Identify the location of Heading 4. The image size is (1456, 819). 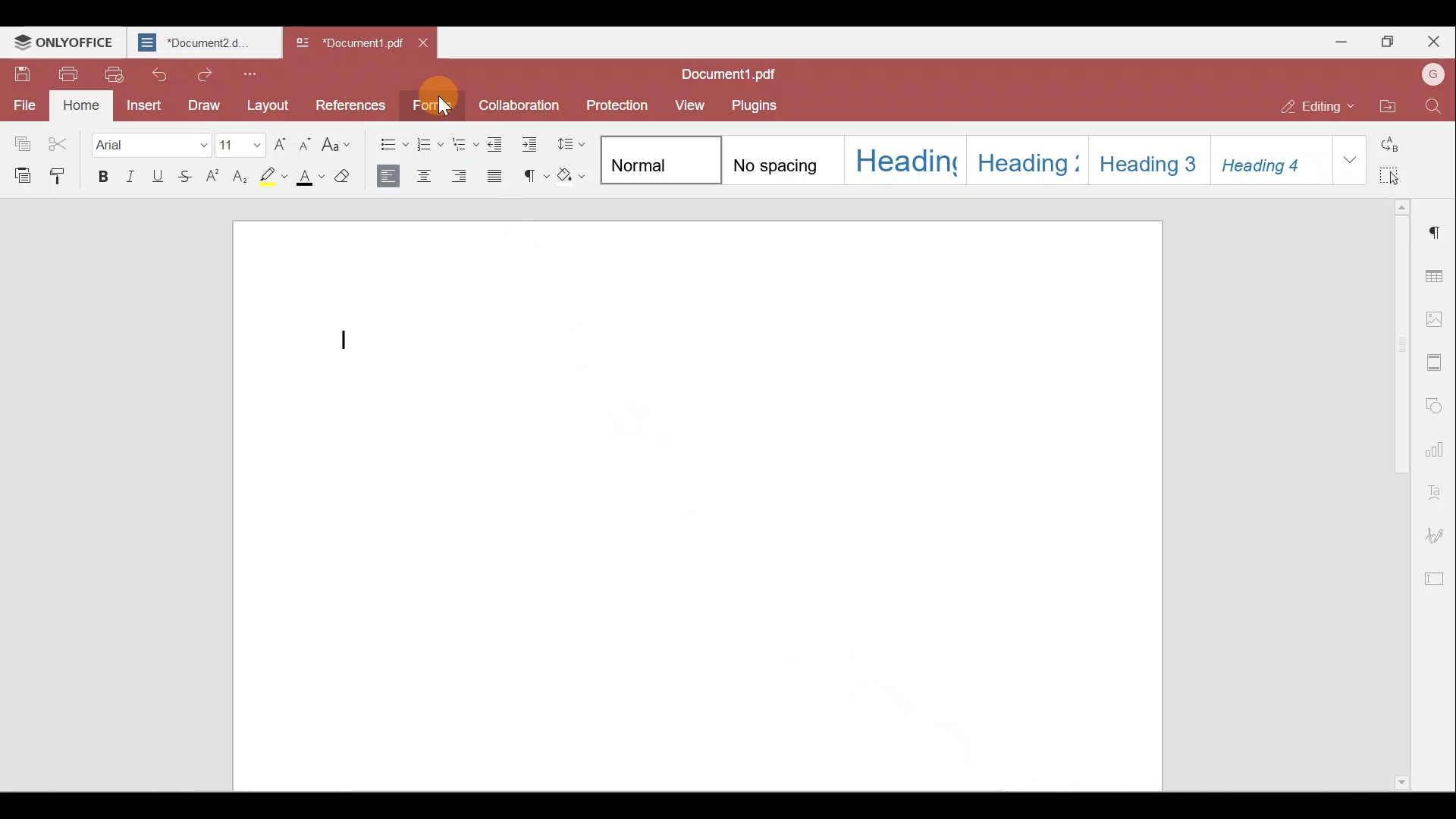
(1270, 160).